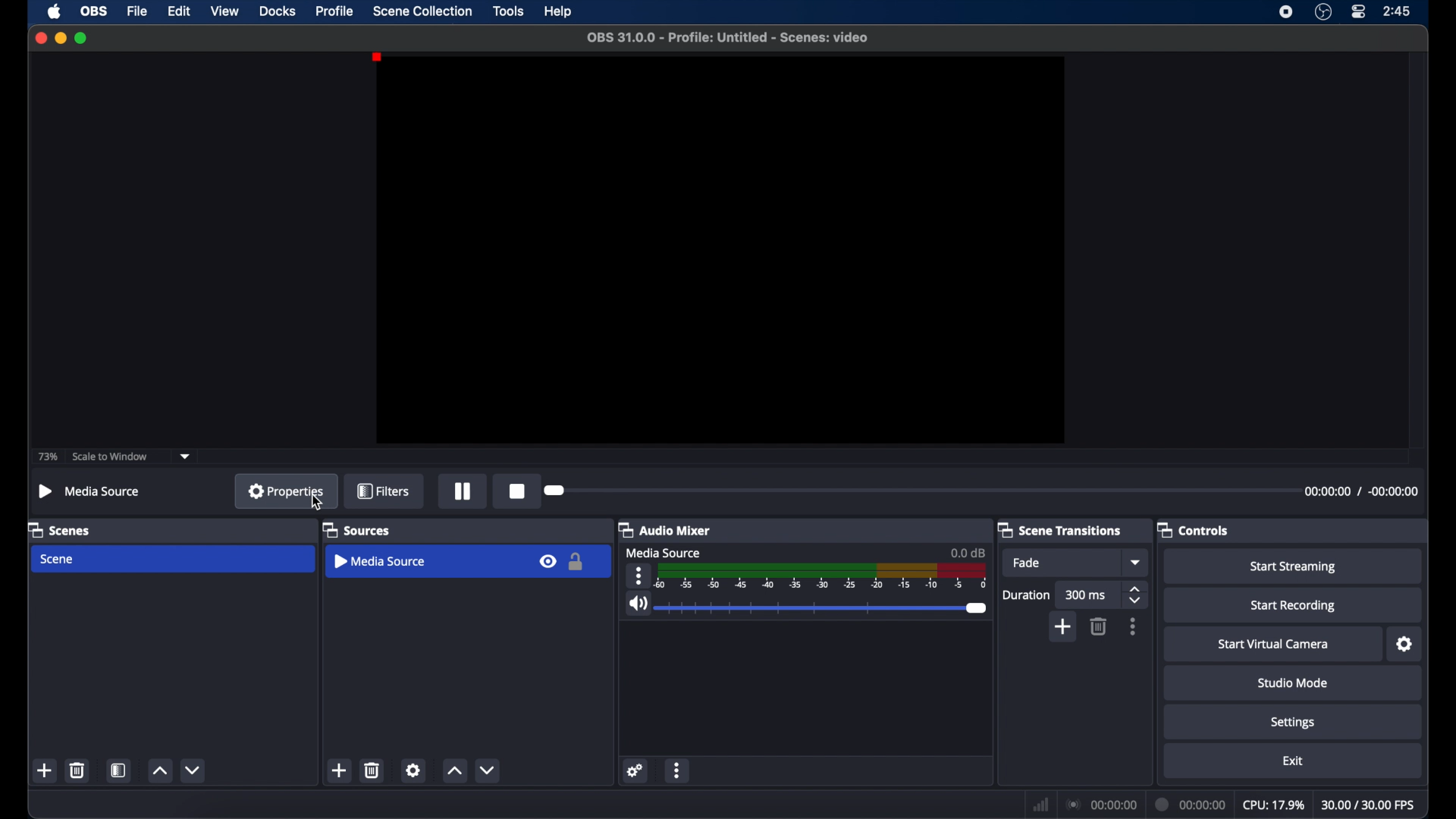  I want to click on media source, so click(664, 552).